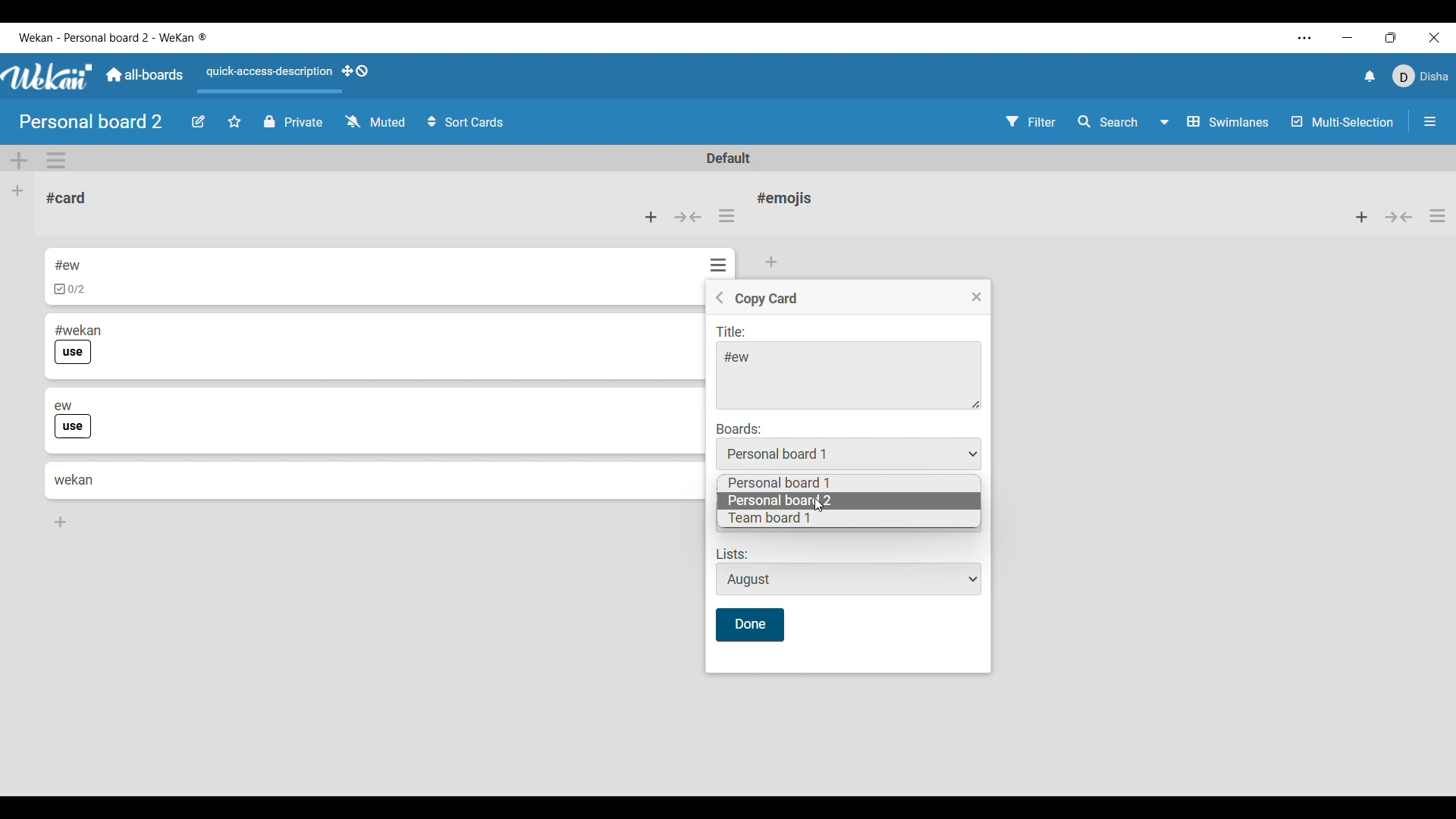 The width and height of the screenshot is (1456, 819). I want to click on Open/Close sidebar, so click(1430, 121).